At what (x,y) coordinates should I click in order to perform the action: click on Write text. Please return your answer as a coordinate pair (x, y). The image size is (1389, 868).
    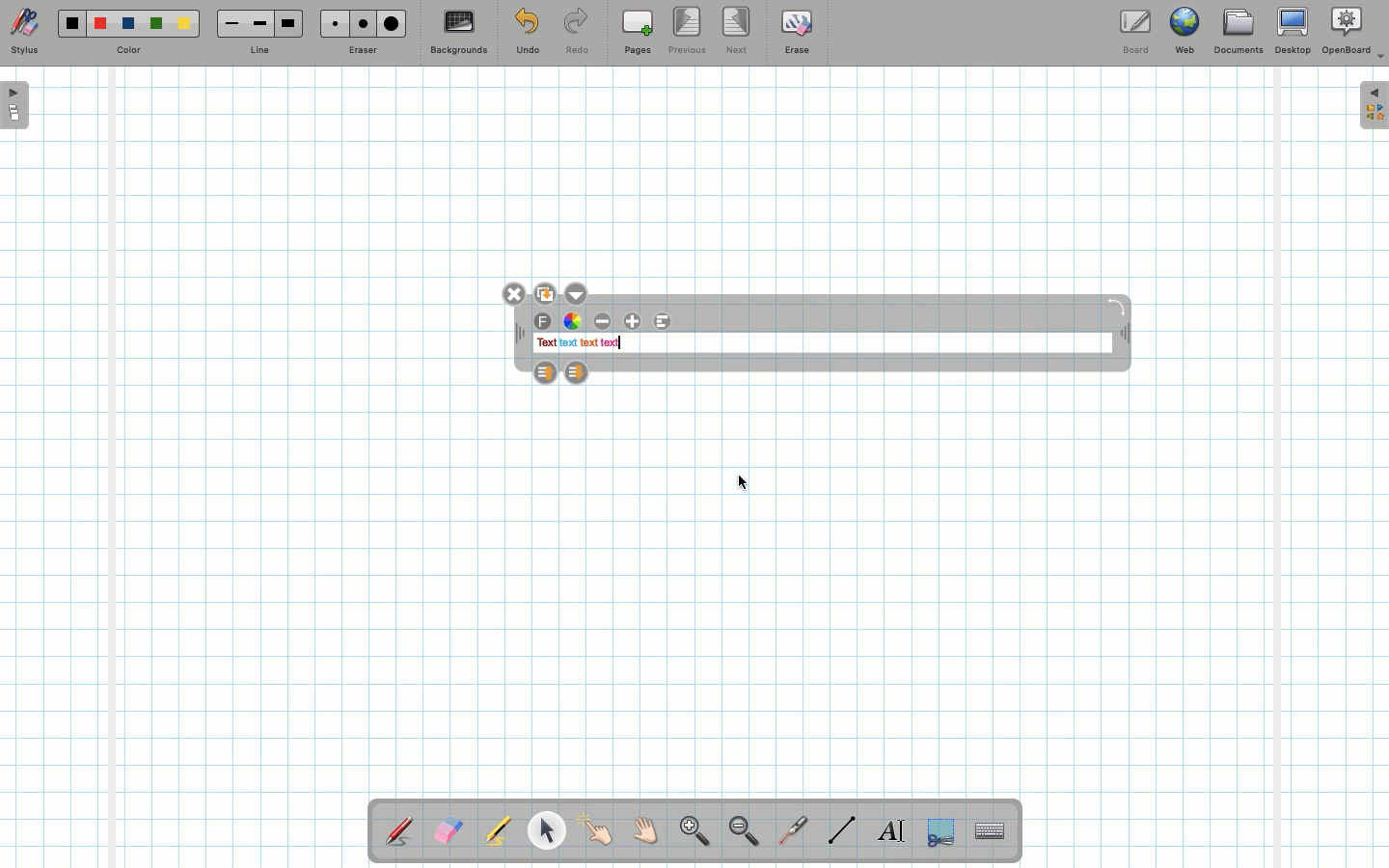
    Looking at the image, I should click on (893, 827).